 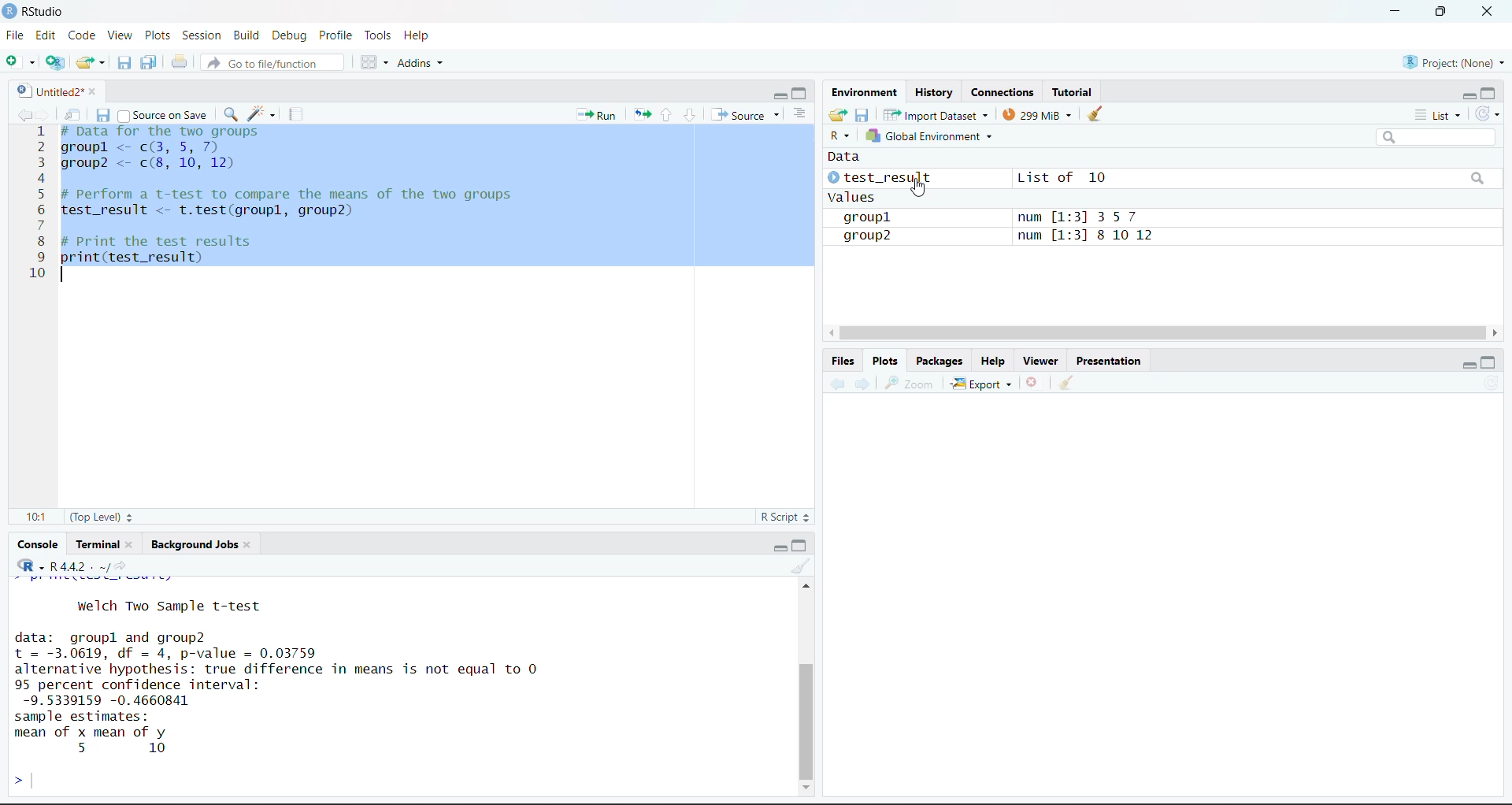 I want to click on Plots, so click(x=888, y=360).